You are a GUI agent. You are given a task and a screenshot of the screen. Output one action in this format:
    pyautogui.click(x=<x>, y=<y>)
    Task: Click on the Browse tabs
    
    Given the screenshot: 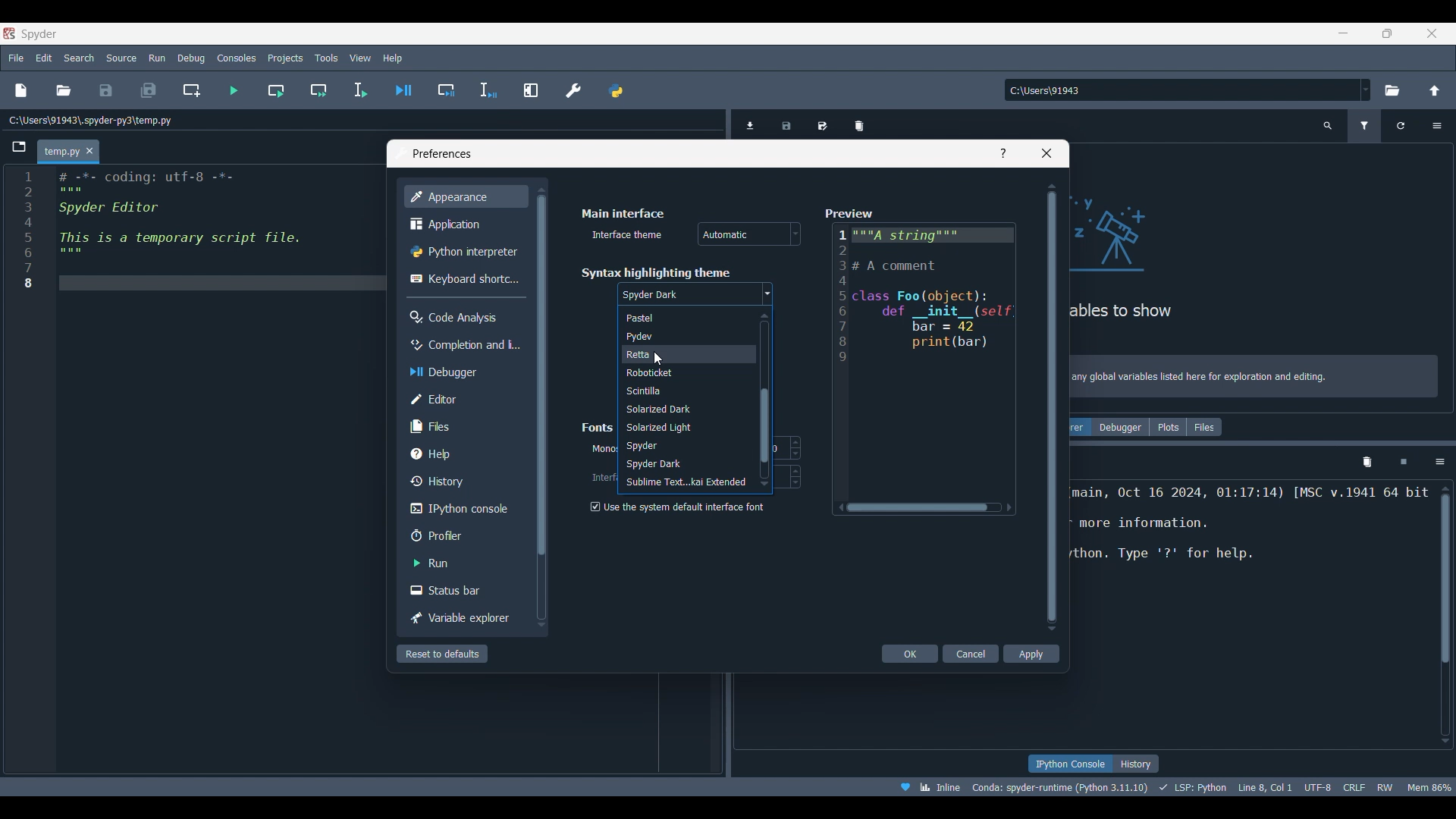 What is the action you would take?
    pyautogui.click(x=20, y=147)
    